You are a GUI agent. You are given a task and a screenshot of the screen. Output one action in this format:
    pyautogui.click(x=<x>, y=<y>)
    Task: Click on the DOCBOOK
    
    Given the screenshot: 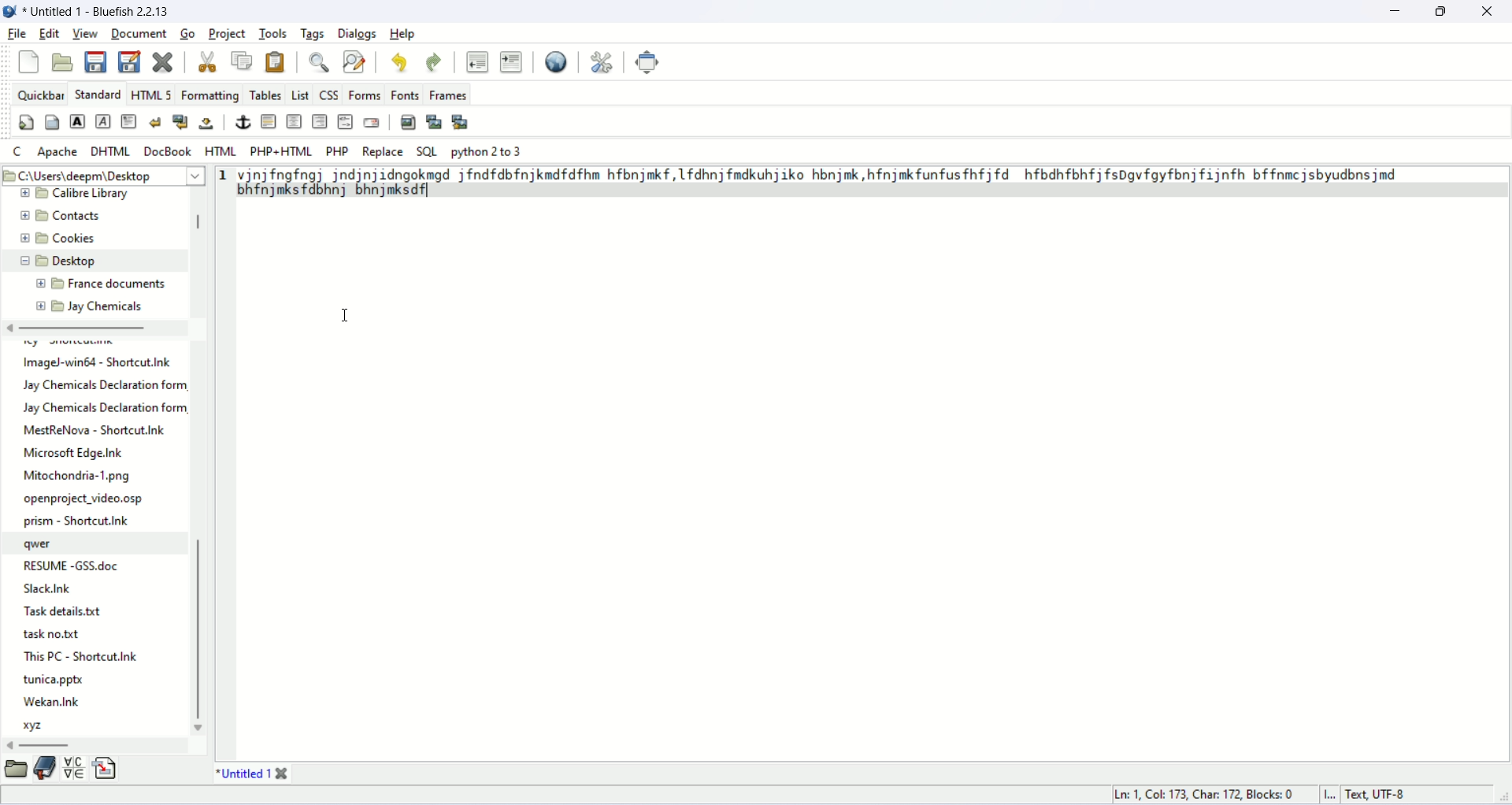 What is the action you would take?
    pyautogui.click(x=168, y=150)
    